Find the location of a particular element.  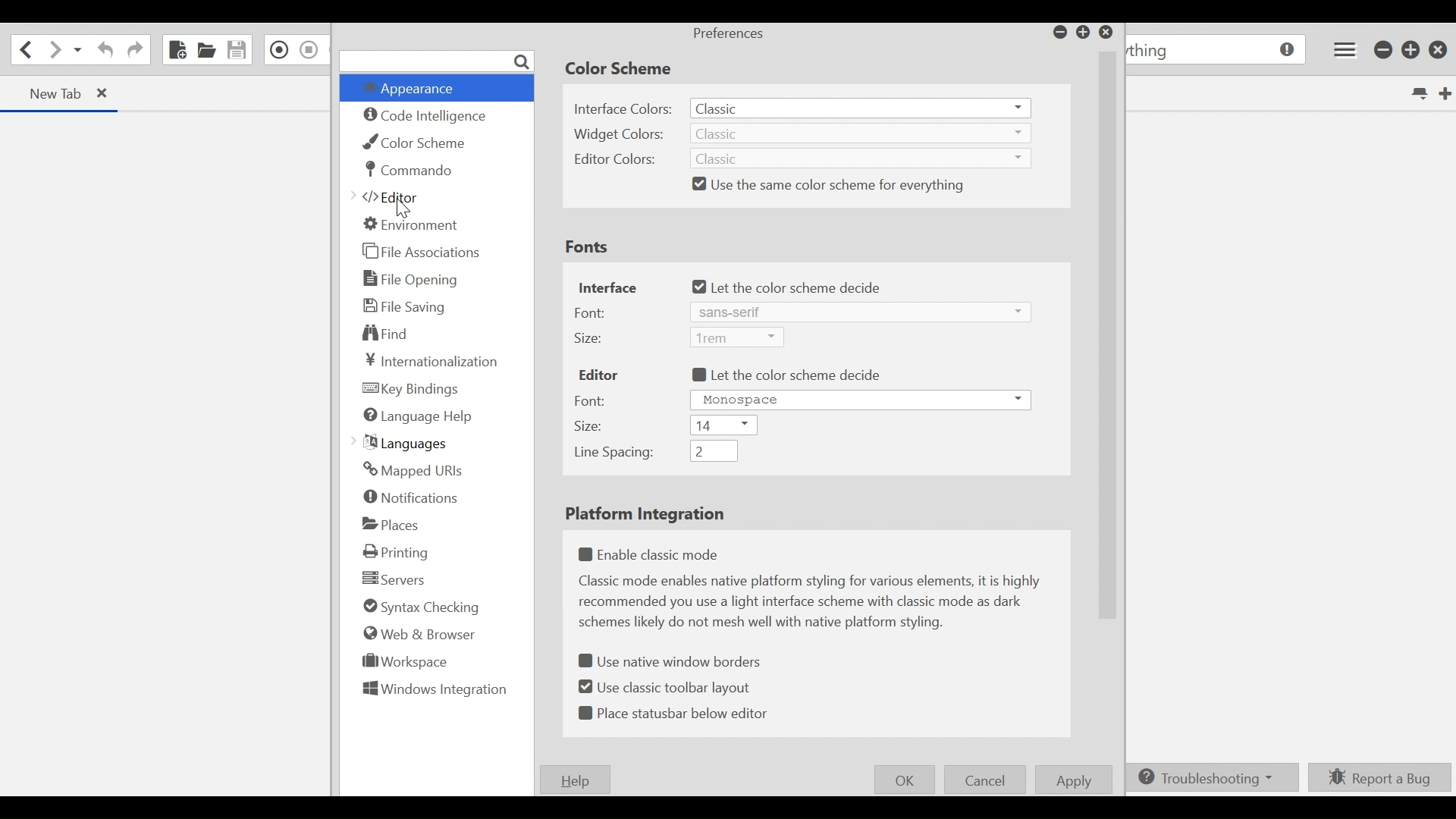

Redo last action is located at coordinates (134, 50).